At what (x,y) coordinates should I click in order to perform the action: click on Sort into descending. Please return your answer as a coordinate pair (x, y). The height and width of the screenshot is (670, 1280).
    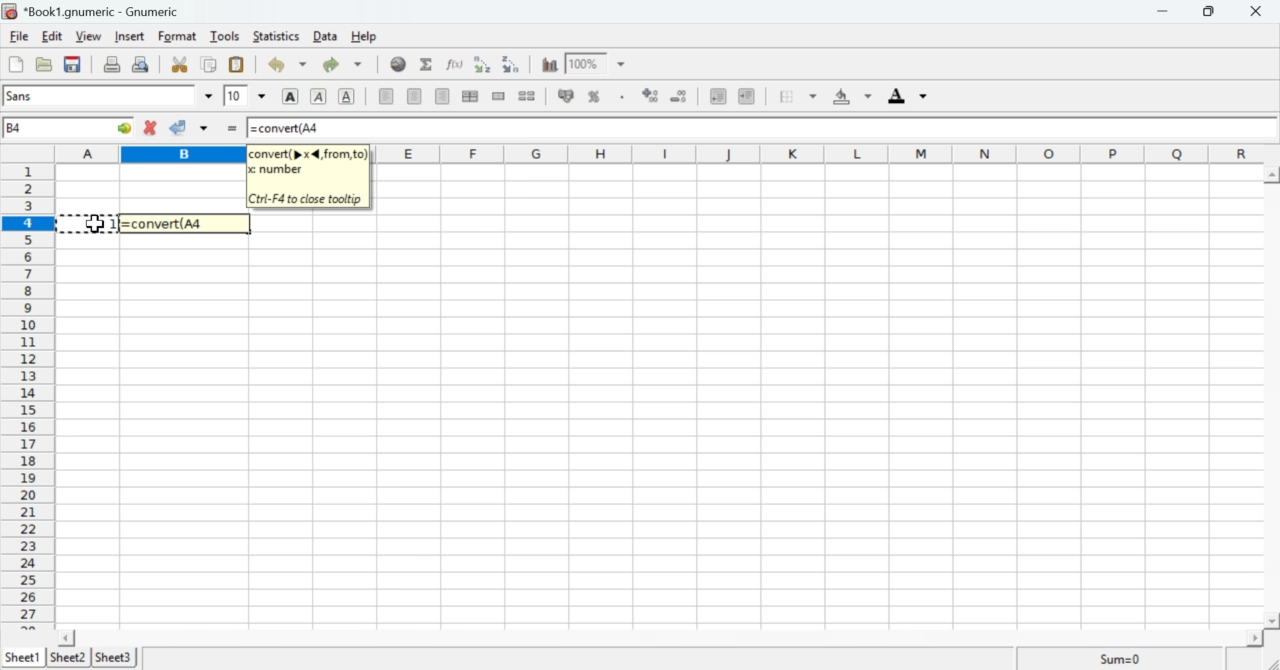
    Looking at the image, I should click on (511, 64).